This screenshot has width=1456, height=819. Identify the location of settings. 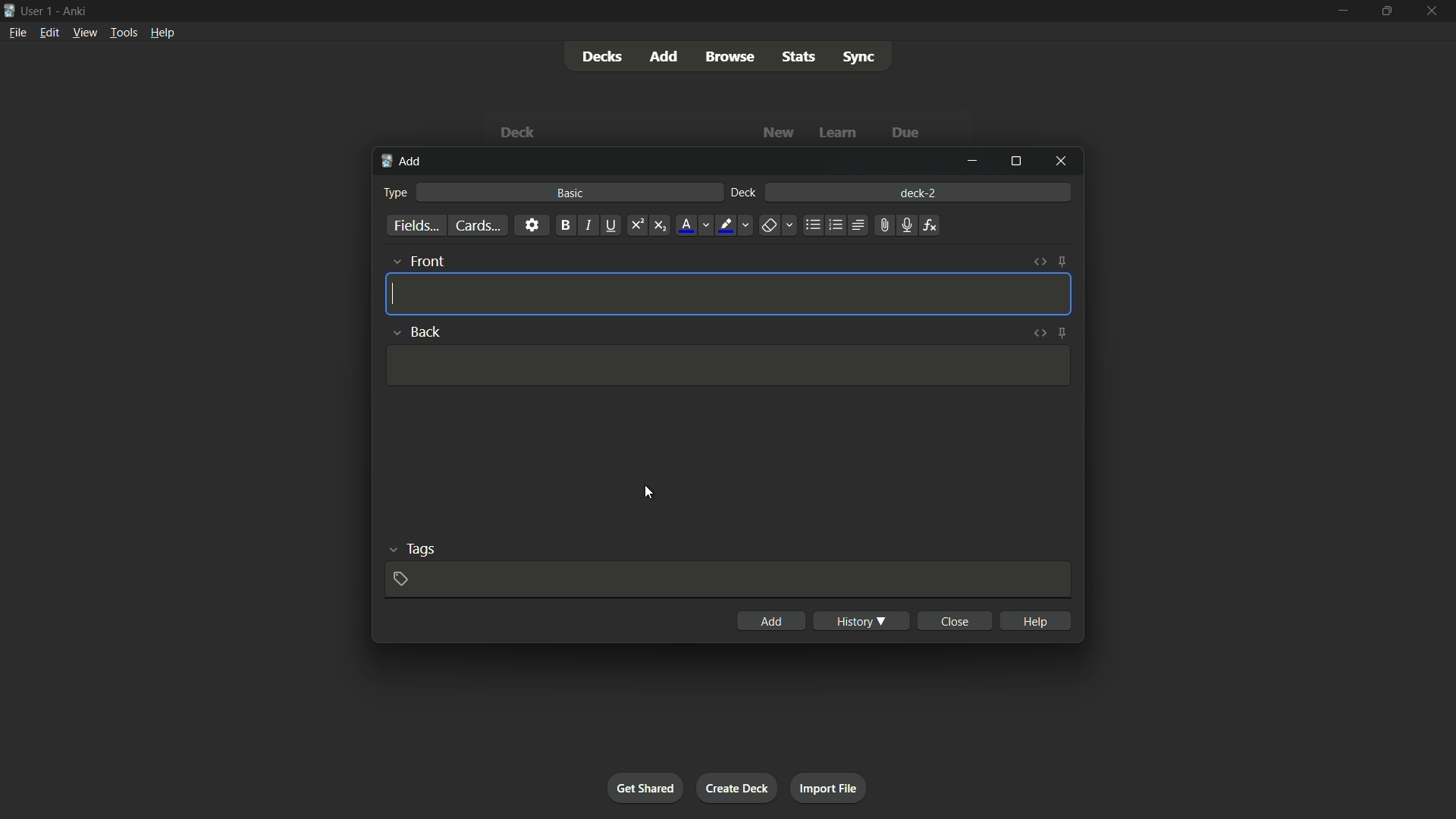
(532, 226).